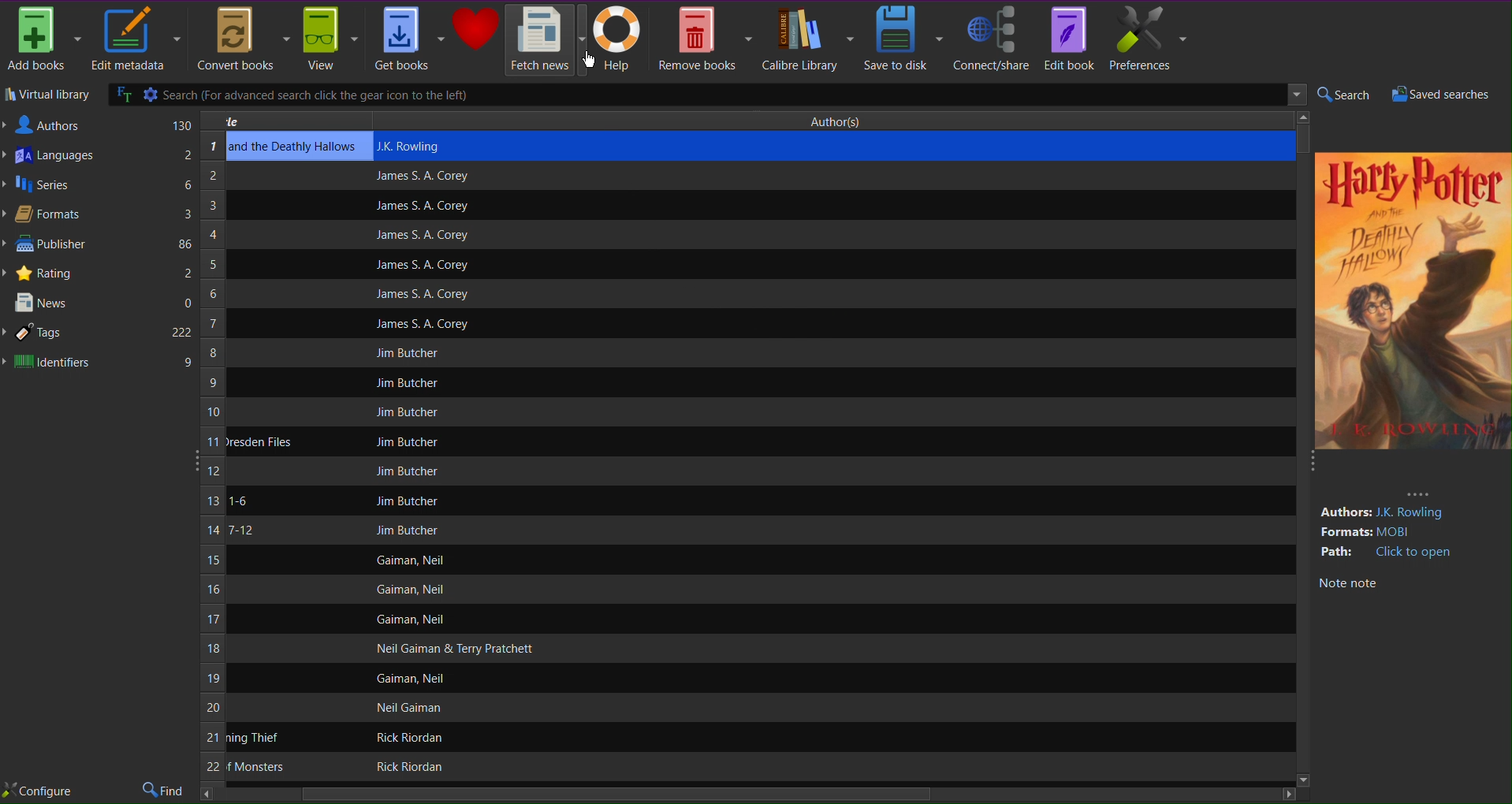 This screenshot has width=1512, height=804. What do you see at coordinates (99, 124) in the screenshot?
I see `Authors` at bounding box center [99, 124].